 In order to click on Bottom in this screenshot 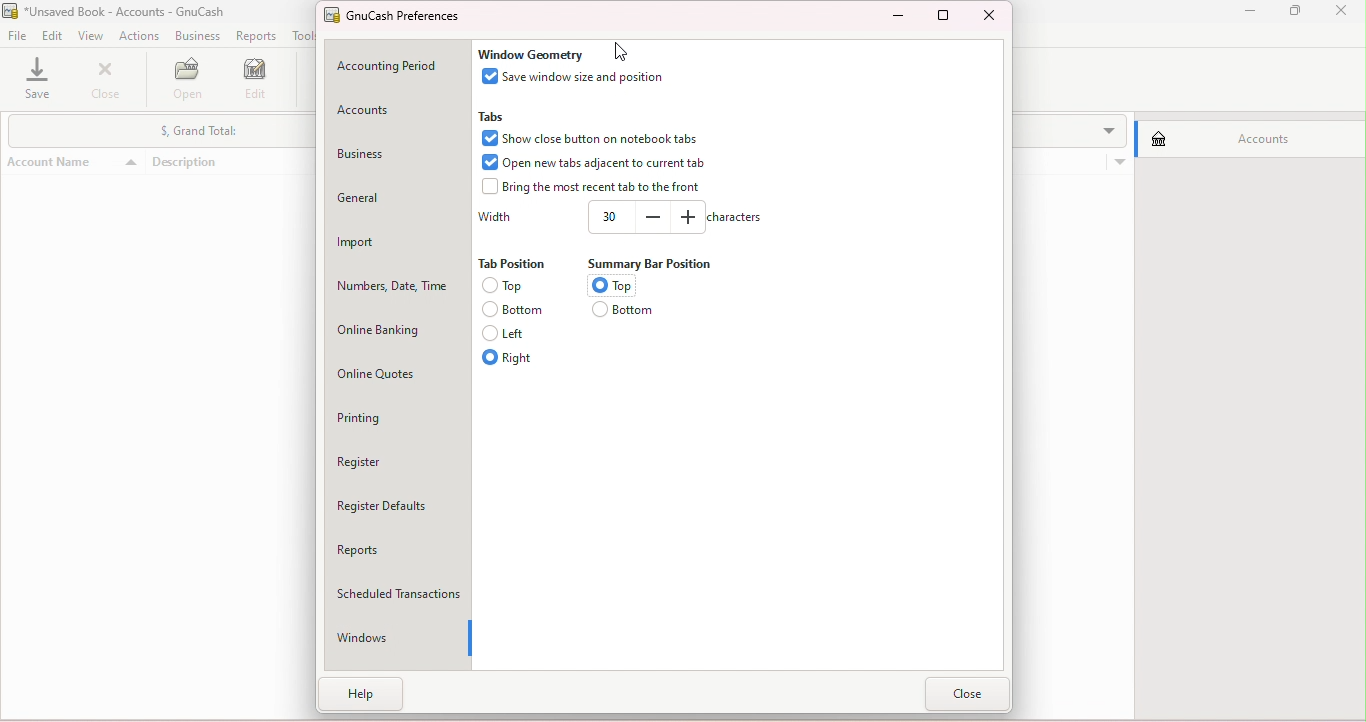, I will do `click(623, 312)`.